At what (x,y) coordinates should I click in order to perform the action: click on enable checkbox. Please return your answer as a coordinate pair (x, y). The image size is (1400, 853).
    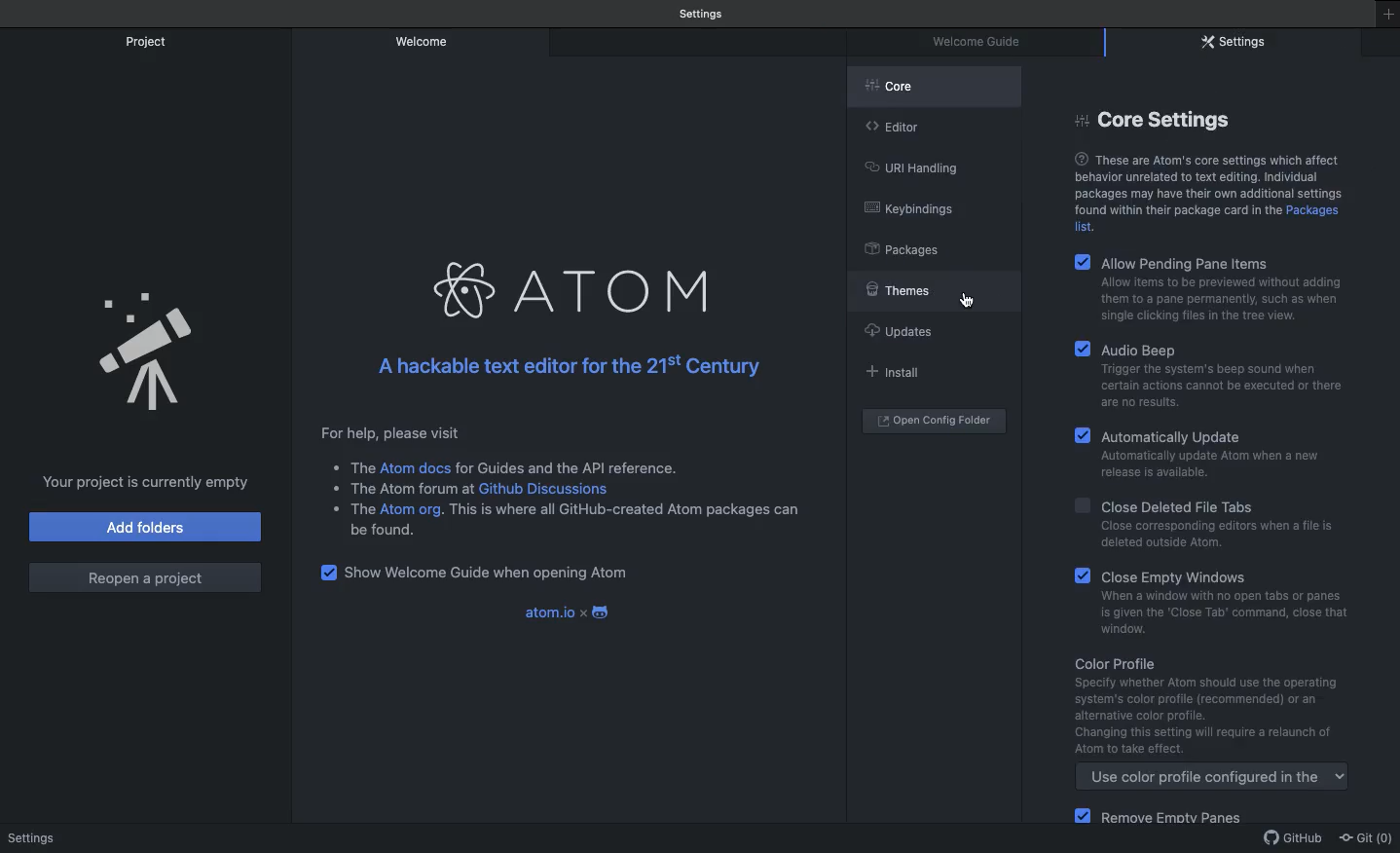
    Looking at the image, I should click on (1080, 817).